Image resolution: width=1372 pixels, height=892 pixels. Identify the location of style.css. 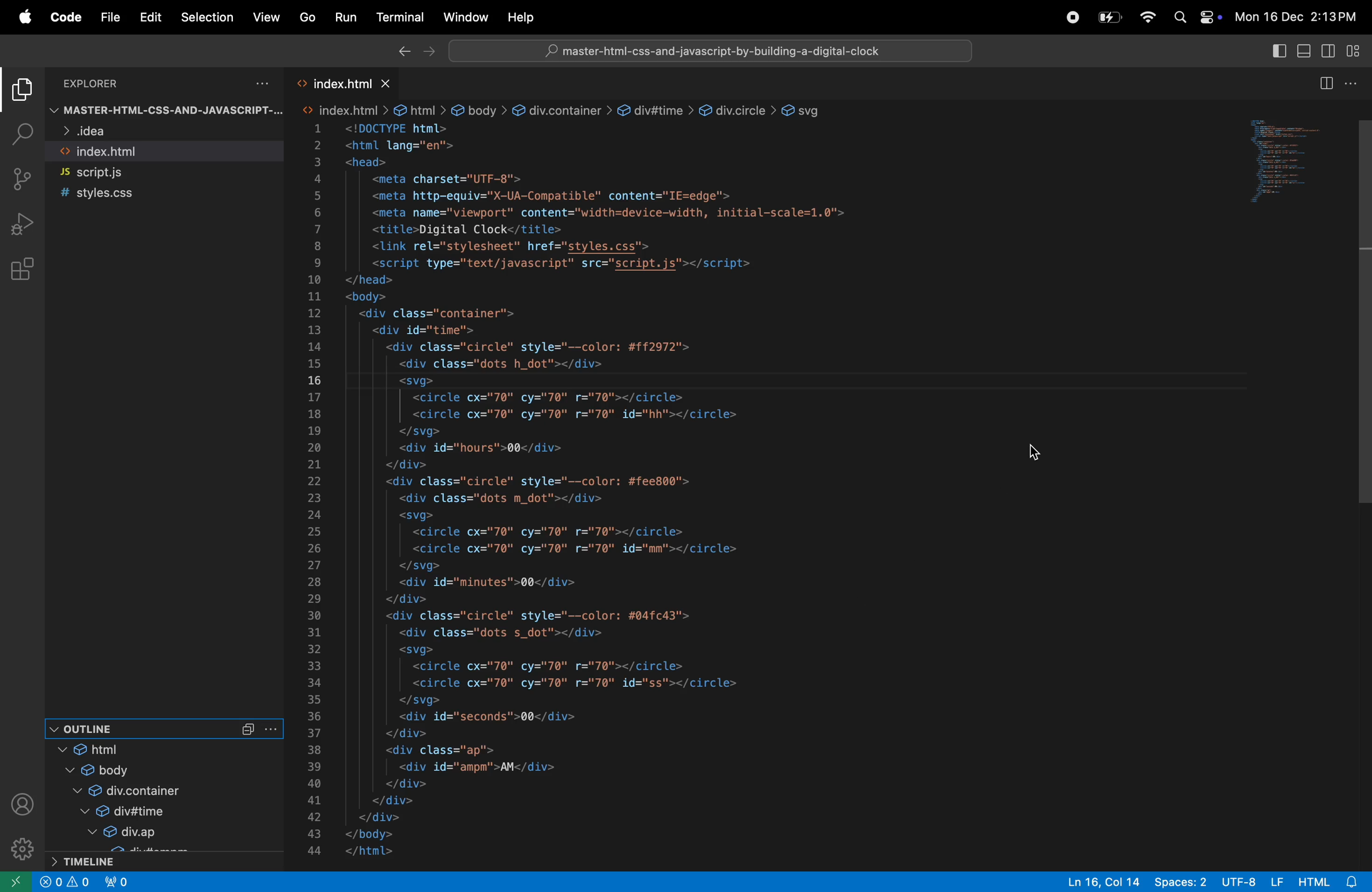
(153, 195).